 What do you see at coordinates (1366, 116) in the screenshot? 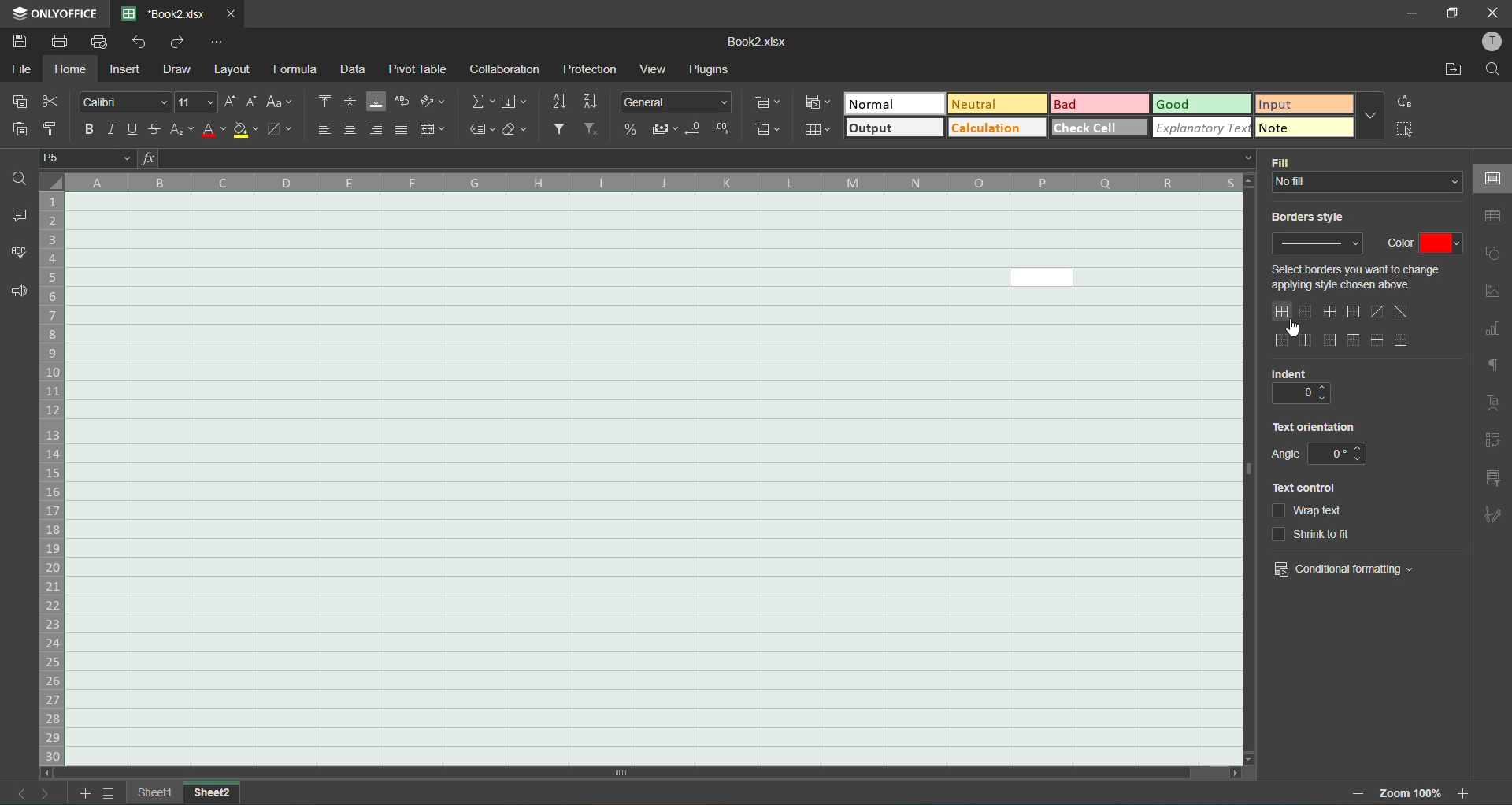
I see `more options` at bounding box center [1366, 116].